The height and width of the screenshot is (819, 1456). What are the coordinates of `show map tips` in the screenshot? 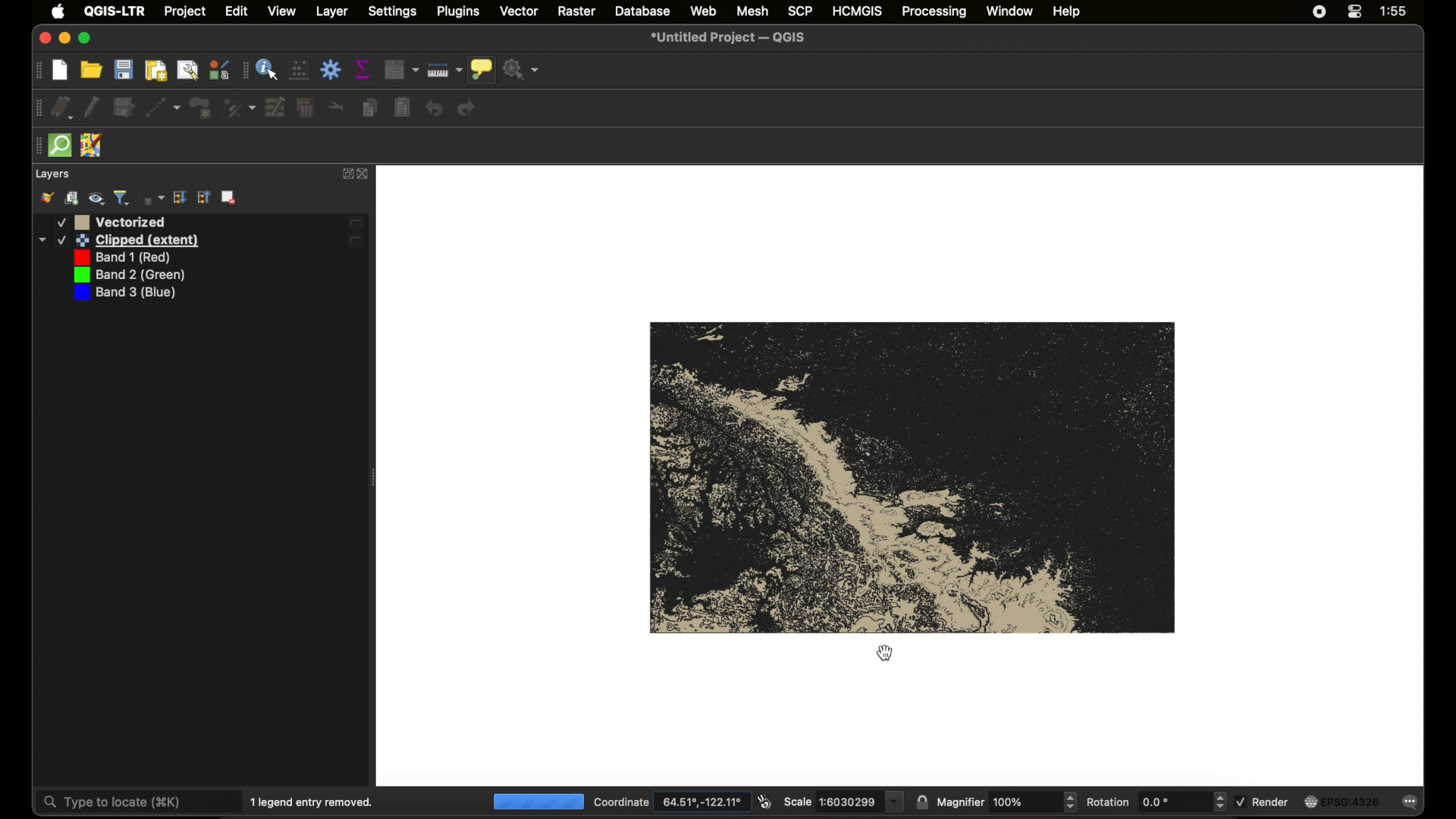 It's located at (482, 70).